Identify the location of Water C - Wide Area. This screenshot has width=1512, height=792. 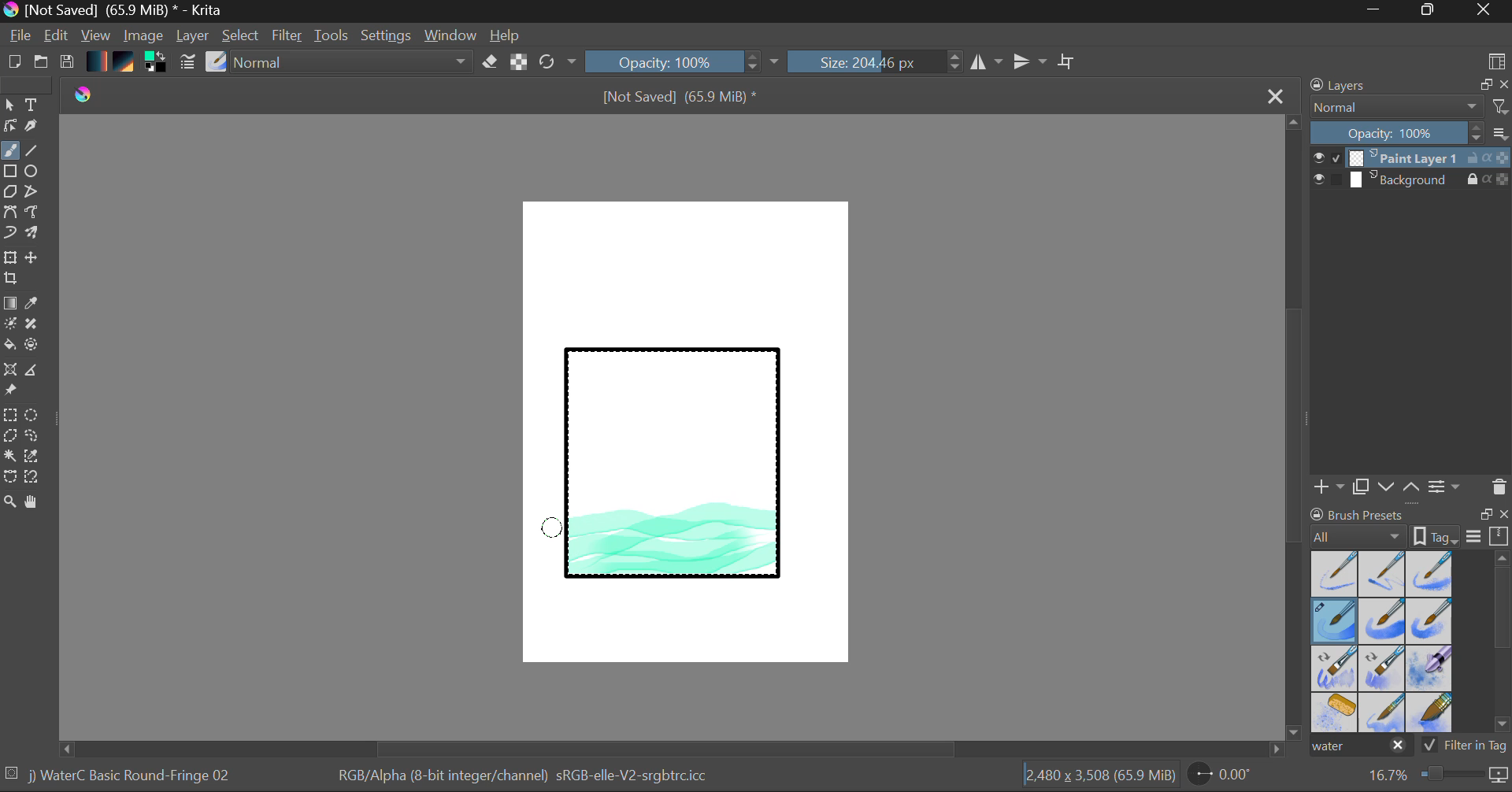
(1432, 713).